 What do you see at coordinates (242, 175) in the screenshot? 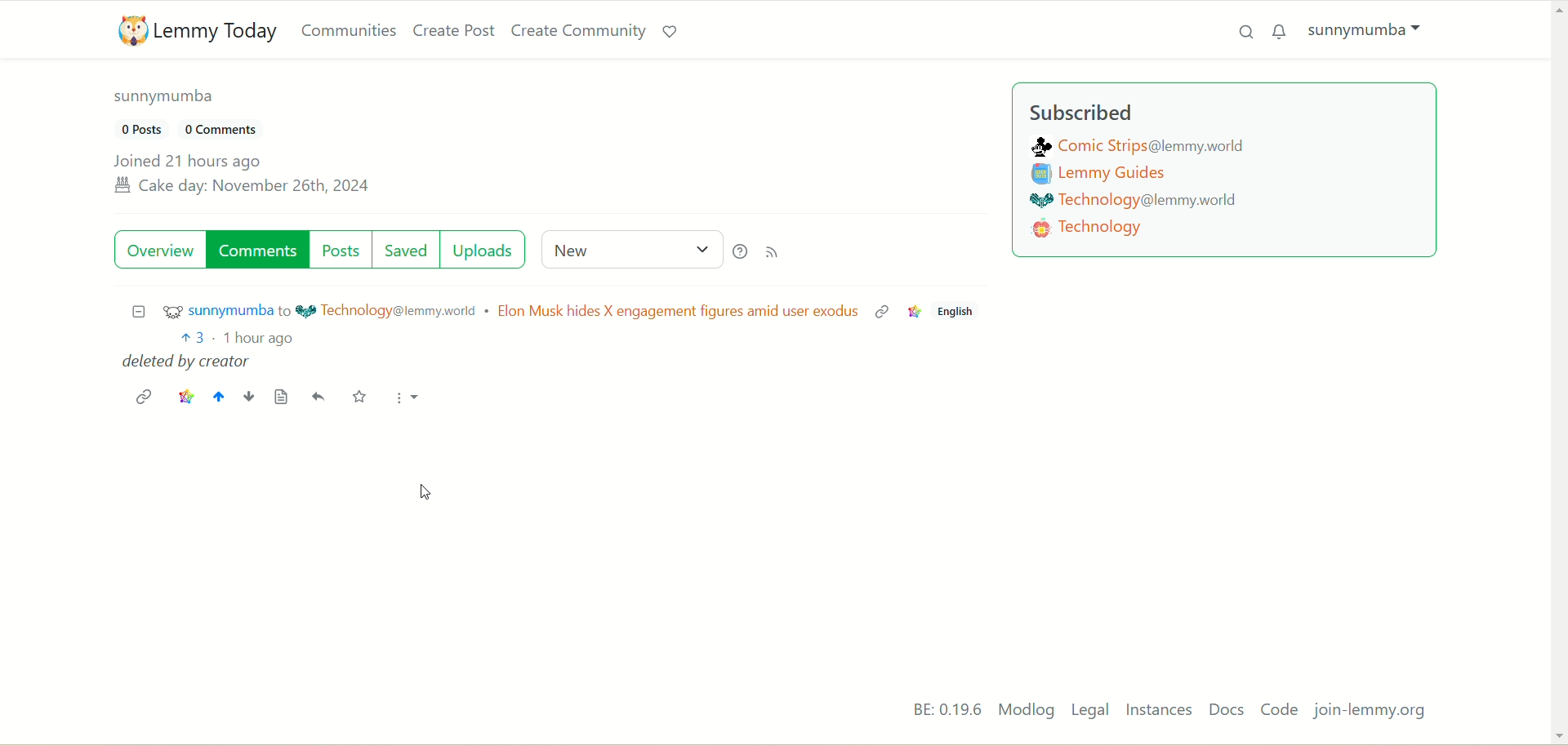
I see `date and time of joining` at bounding box center [242, 175].